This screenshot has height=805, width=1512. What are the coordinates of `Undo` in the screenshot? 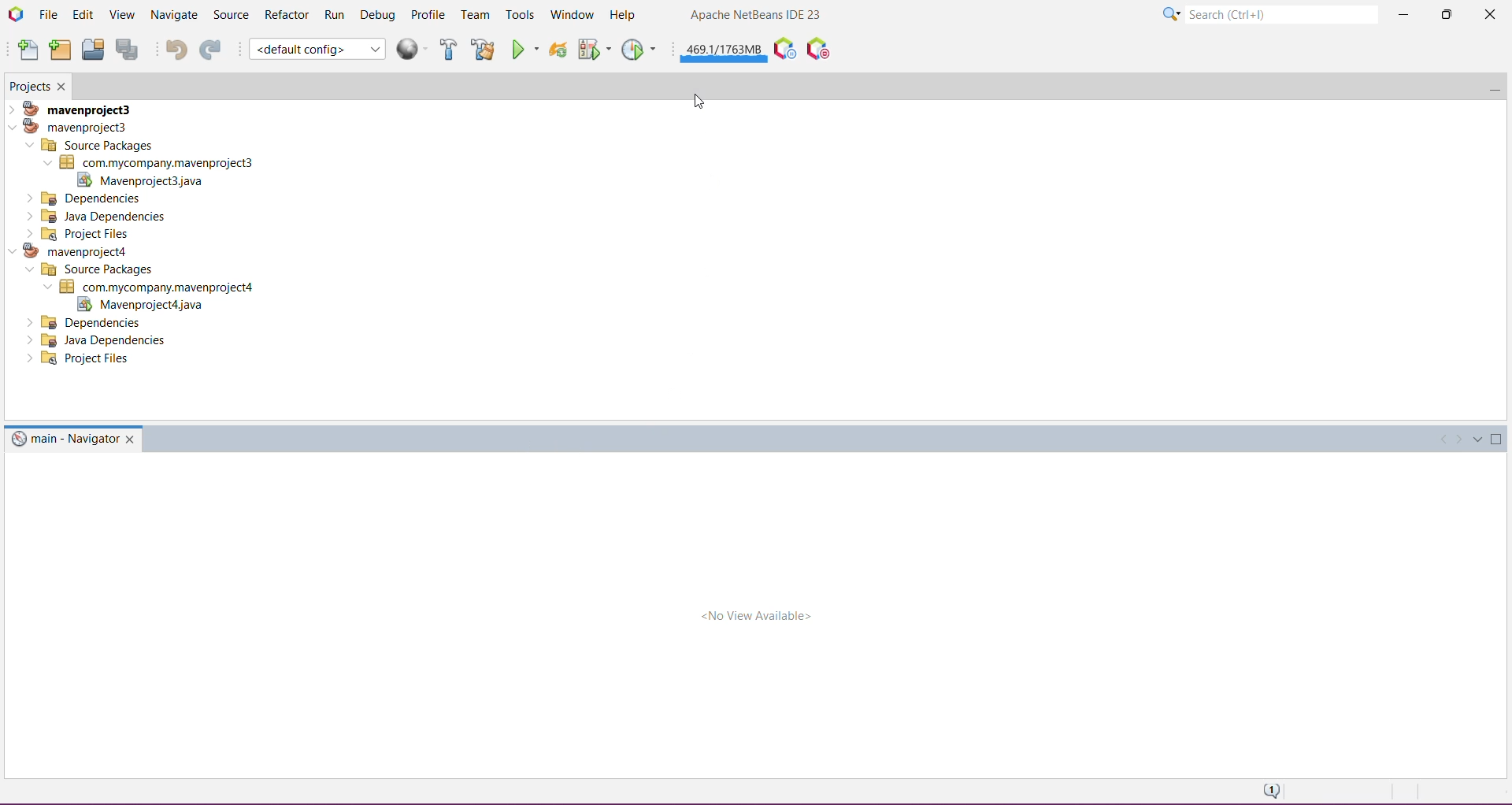 It's located at (172, 49).